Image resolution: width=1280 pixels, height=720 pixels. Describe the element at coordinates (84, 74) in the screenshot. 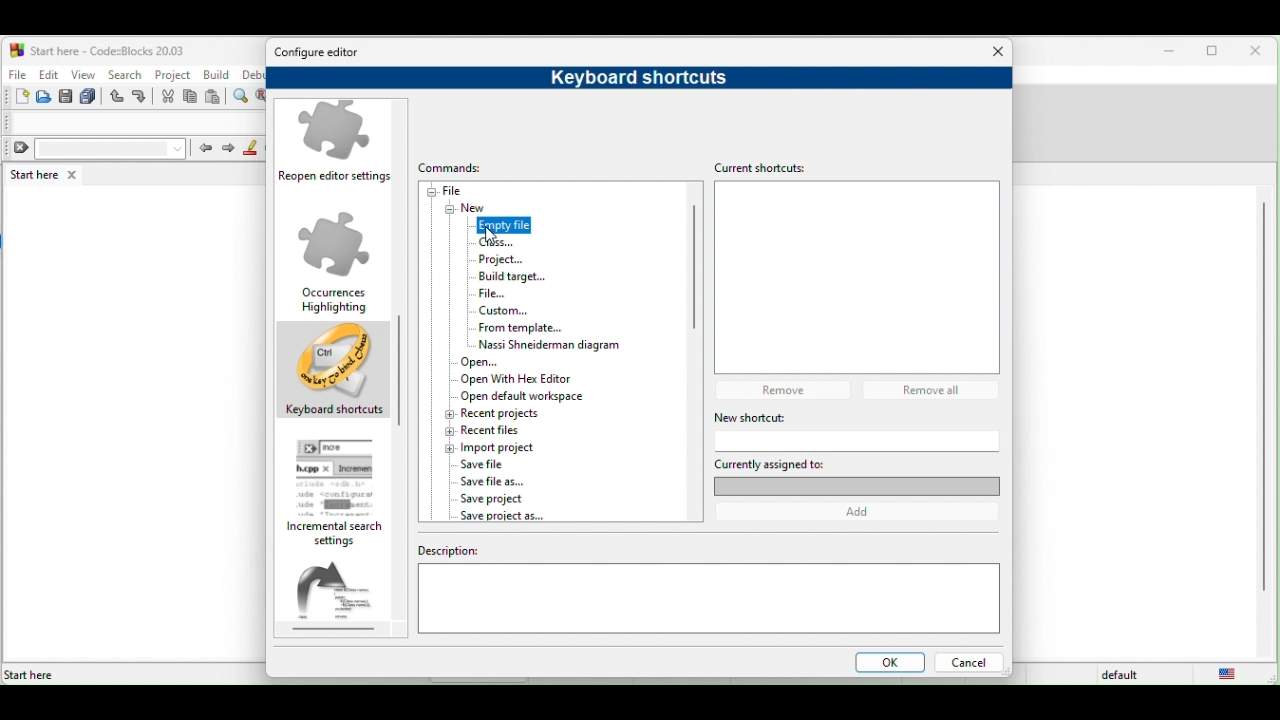

I see `view` at that location.